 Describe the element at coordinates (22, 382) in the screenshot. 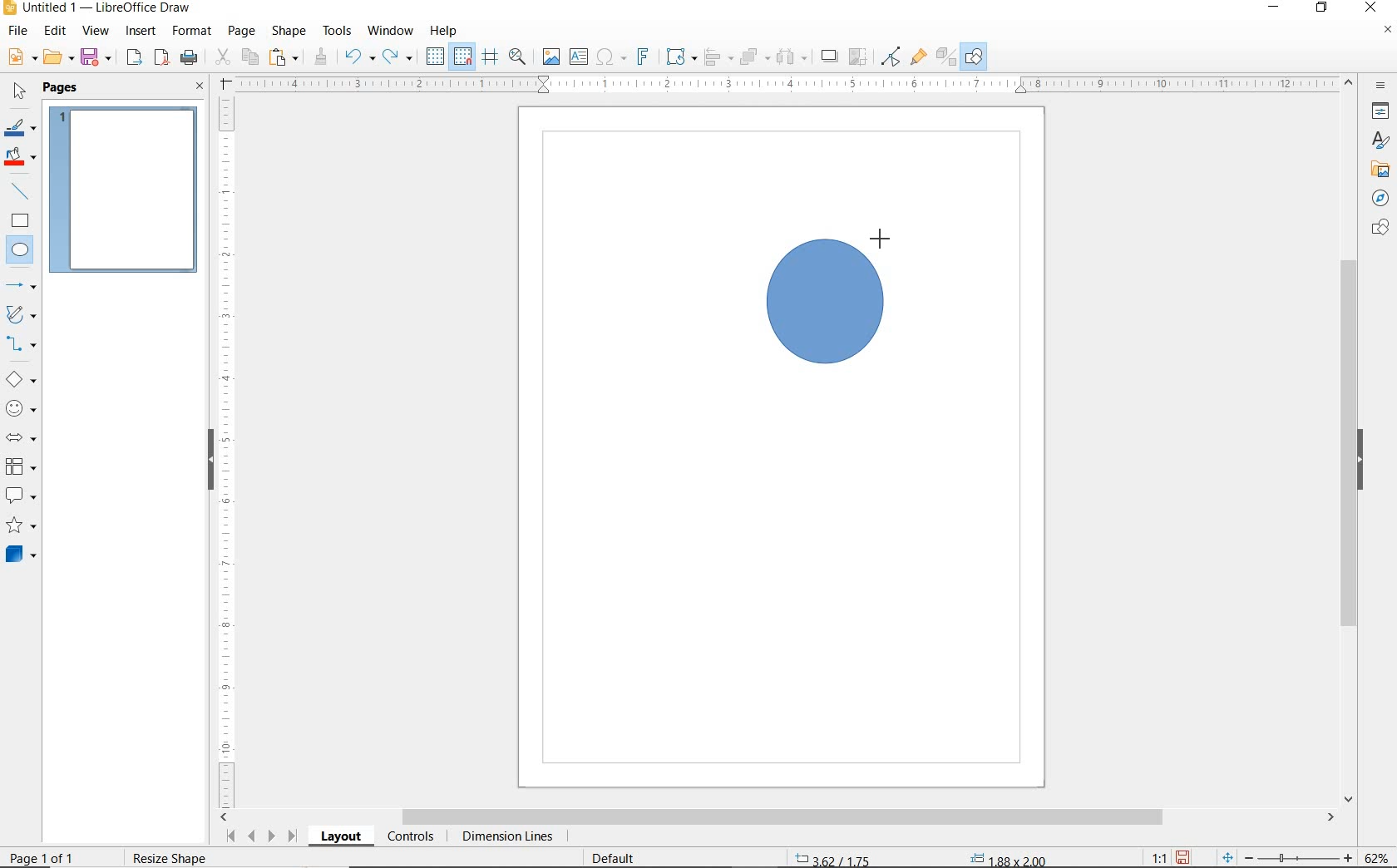

I see `BASIC SHAPES` at that location.